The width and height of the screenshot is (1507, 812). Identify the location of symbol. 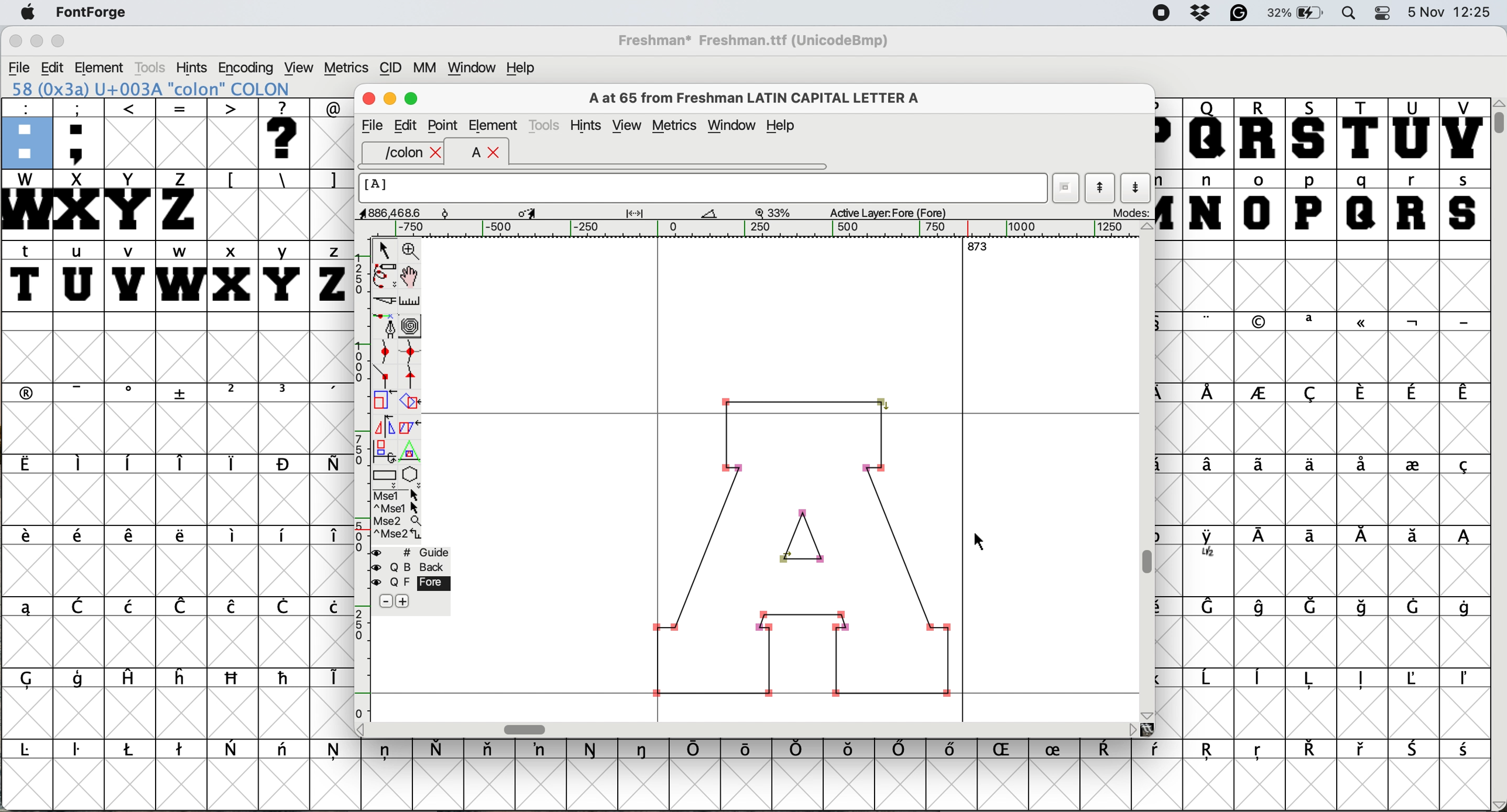
(131, 605).